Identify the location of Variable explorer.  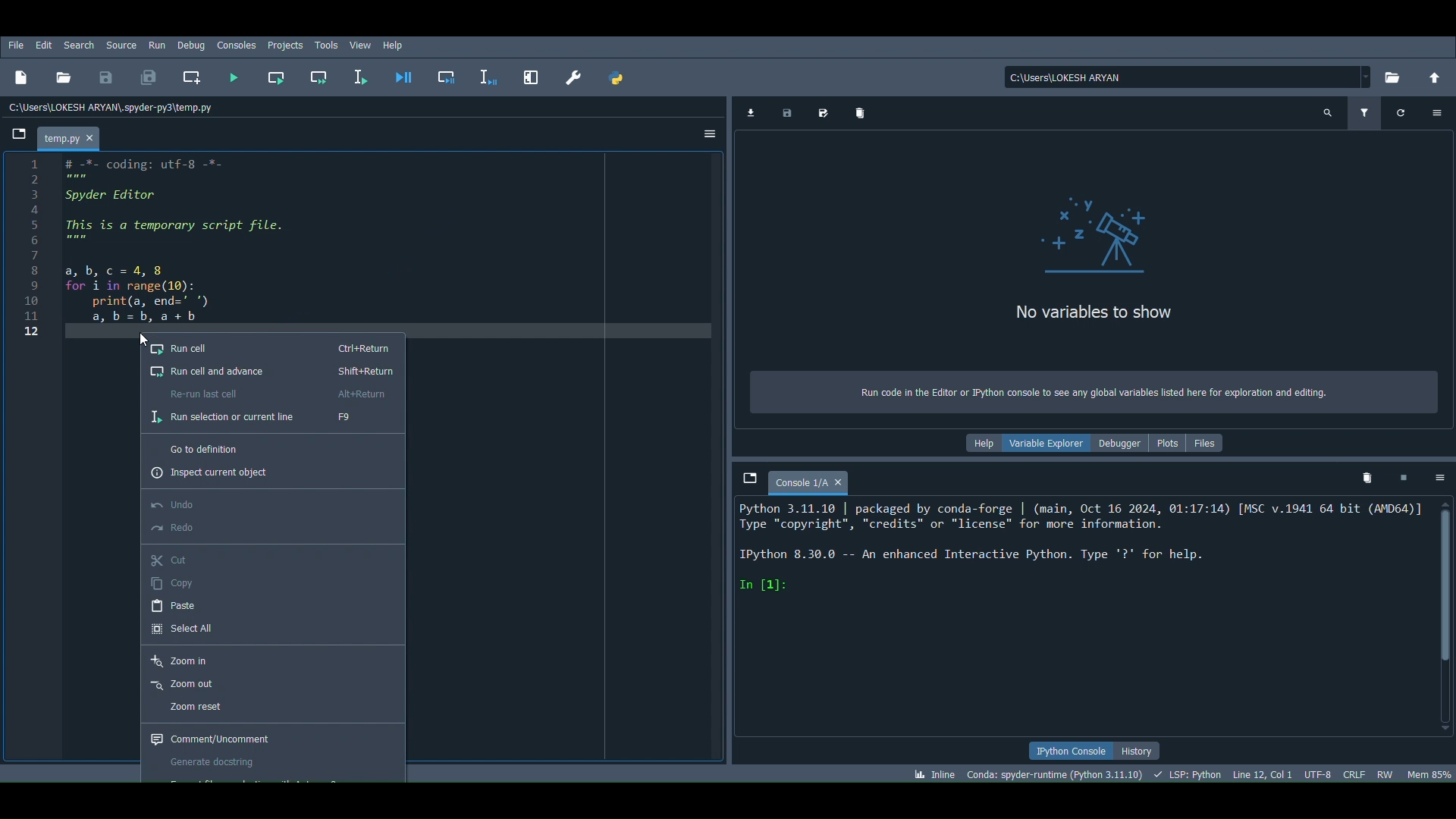
(1040, 443).